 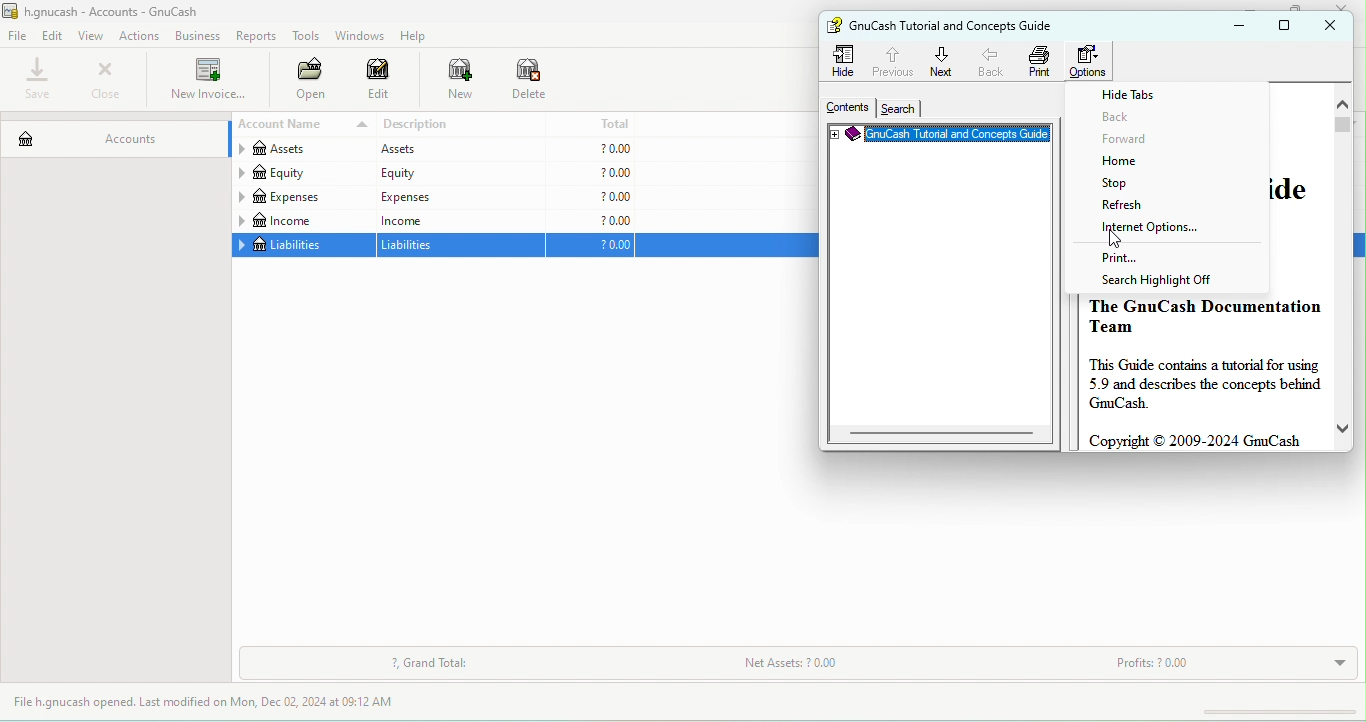 I want to click on grand total, so click(x=430, y=664).